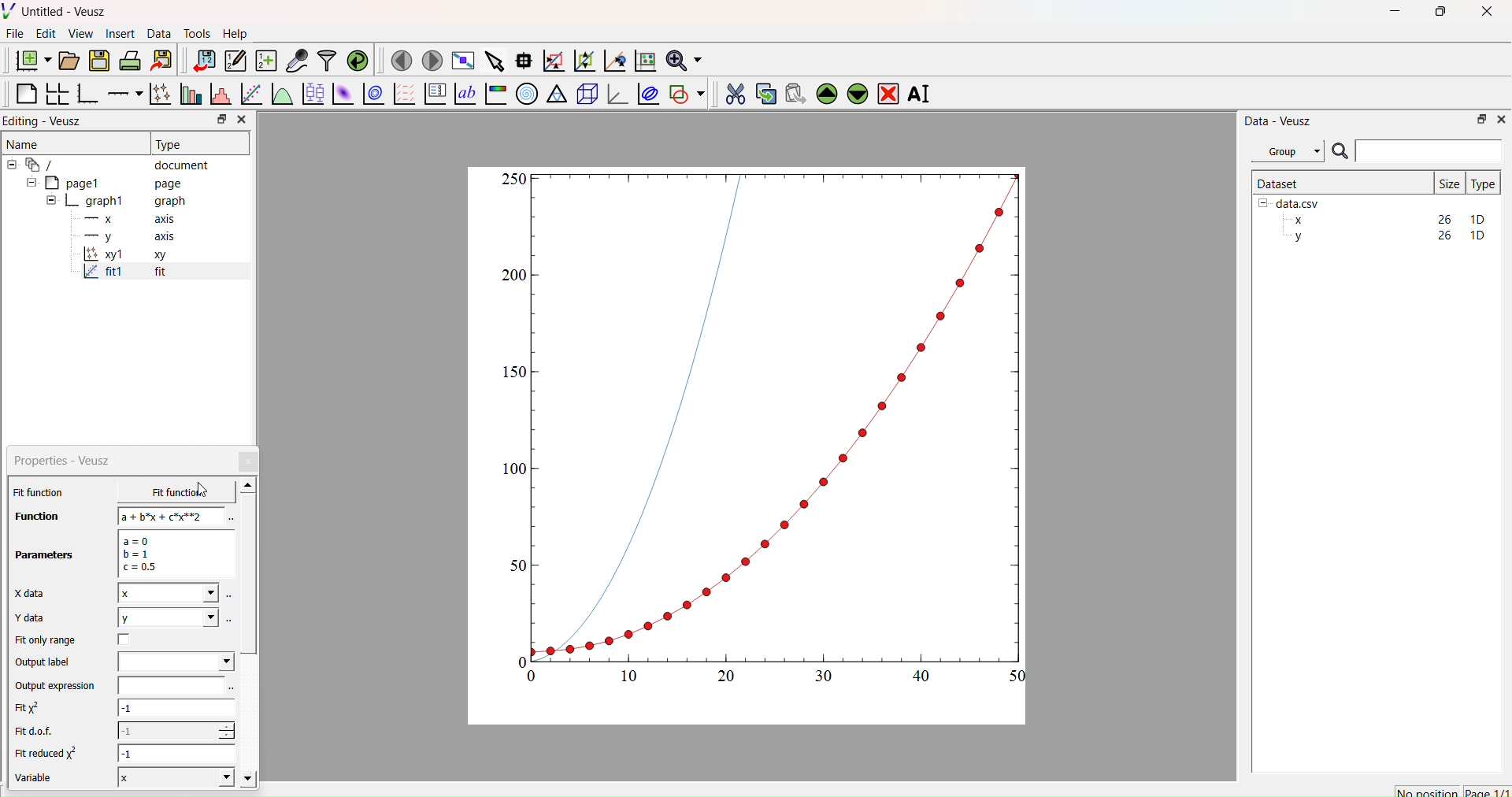  What do you see at coordinates (218, 120) in the screenshot?
I see `Restore down` at bounding box center [218, 120].